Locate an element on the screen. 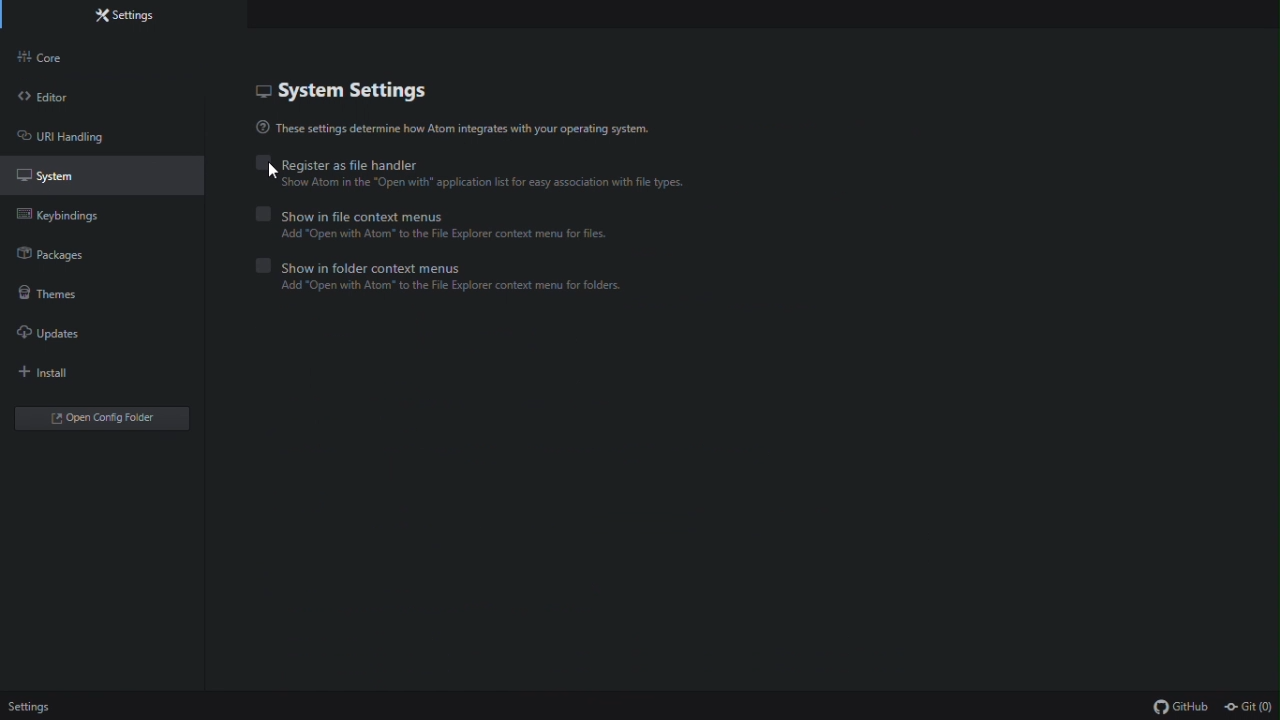 The width and height of the screenshot is (1280, 720). System is located at coordinates (71, 181).